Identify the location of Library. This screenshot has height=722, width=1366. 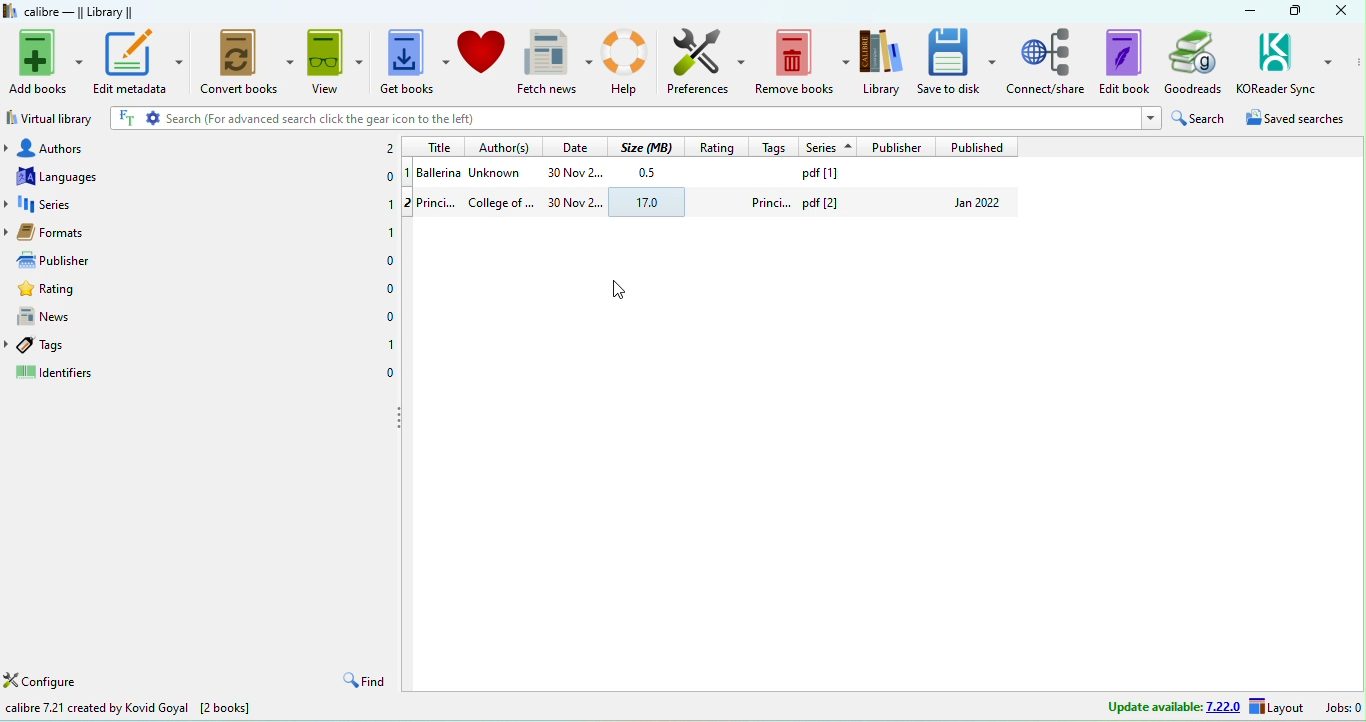
(882, 61).